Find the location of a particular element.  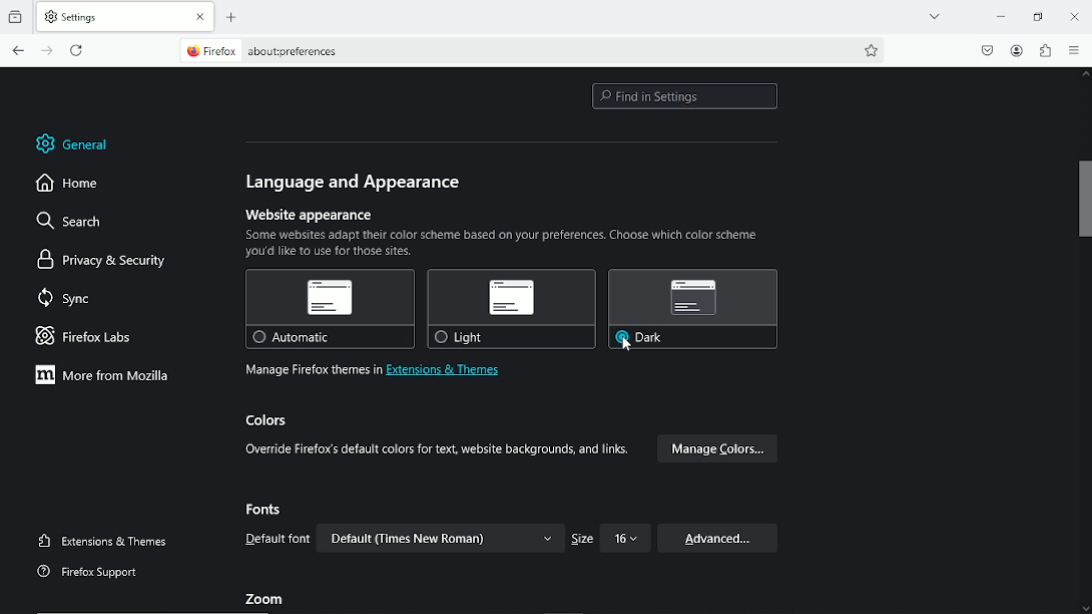

Light is located at coordinates (512, 309).